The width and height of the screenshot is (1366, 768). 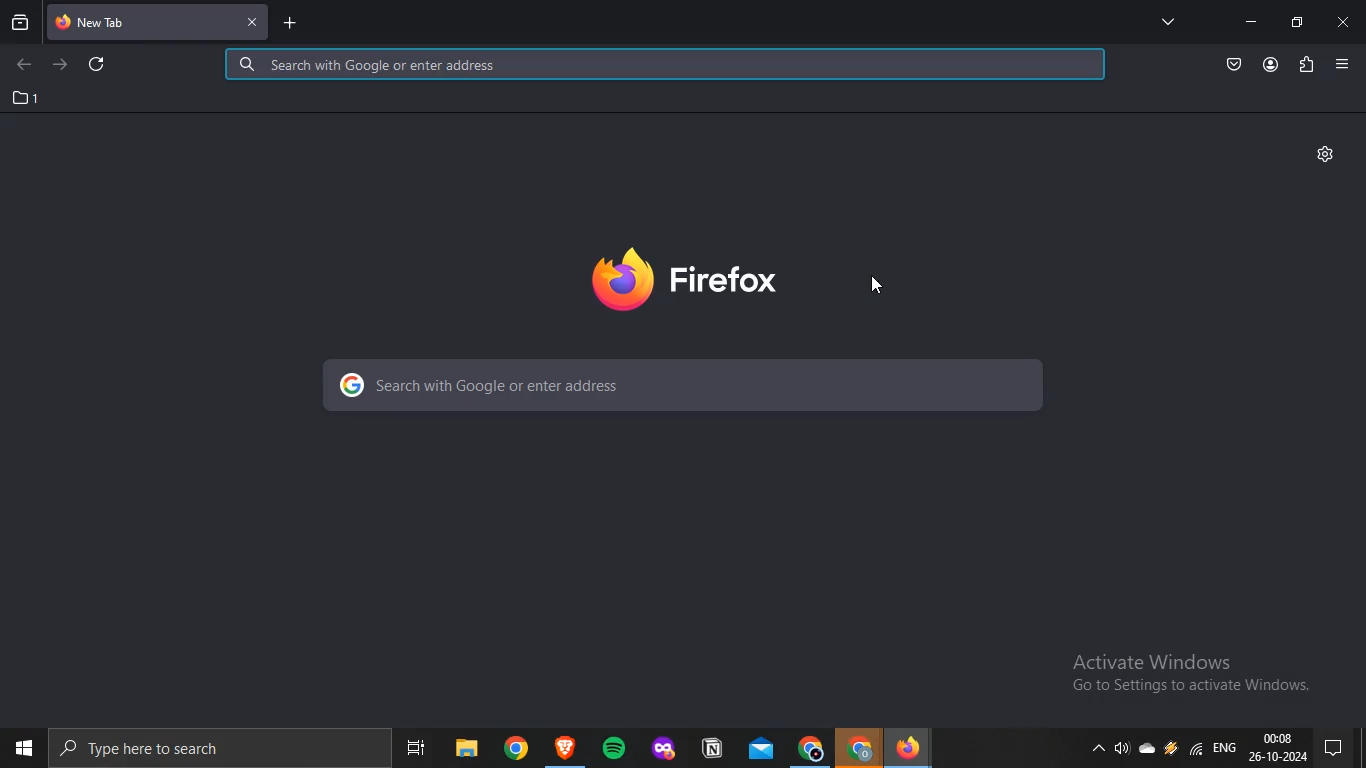 I want to click on close tab, so click(x=250, y=20).